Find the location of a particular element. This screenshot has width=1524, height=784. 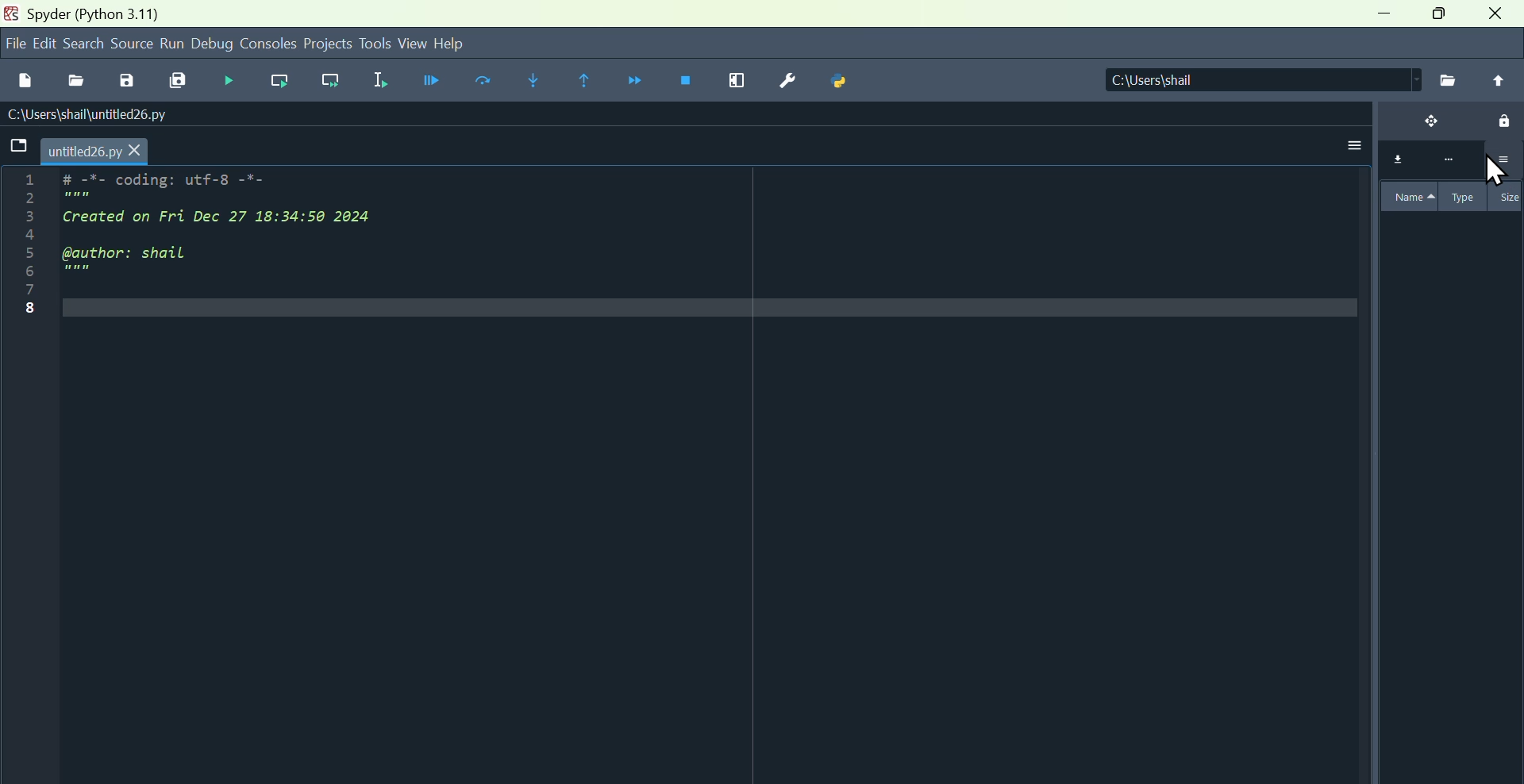

Save all is located at coordinates (179, 81).